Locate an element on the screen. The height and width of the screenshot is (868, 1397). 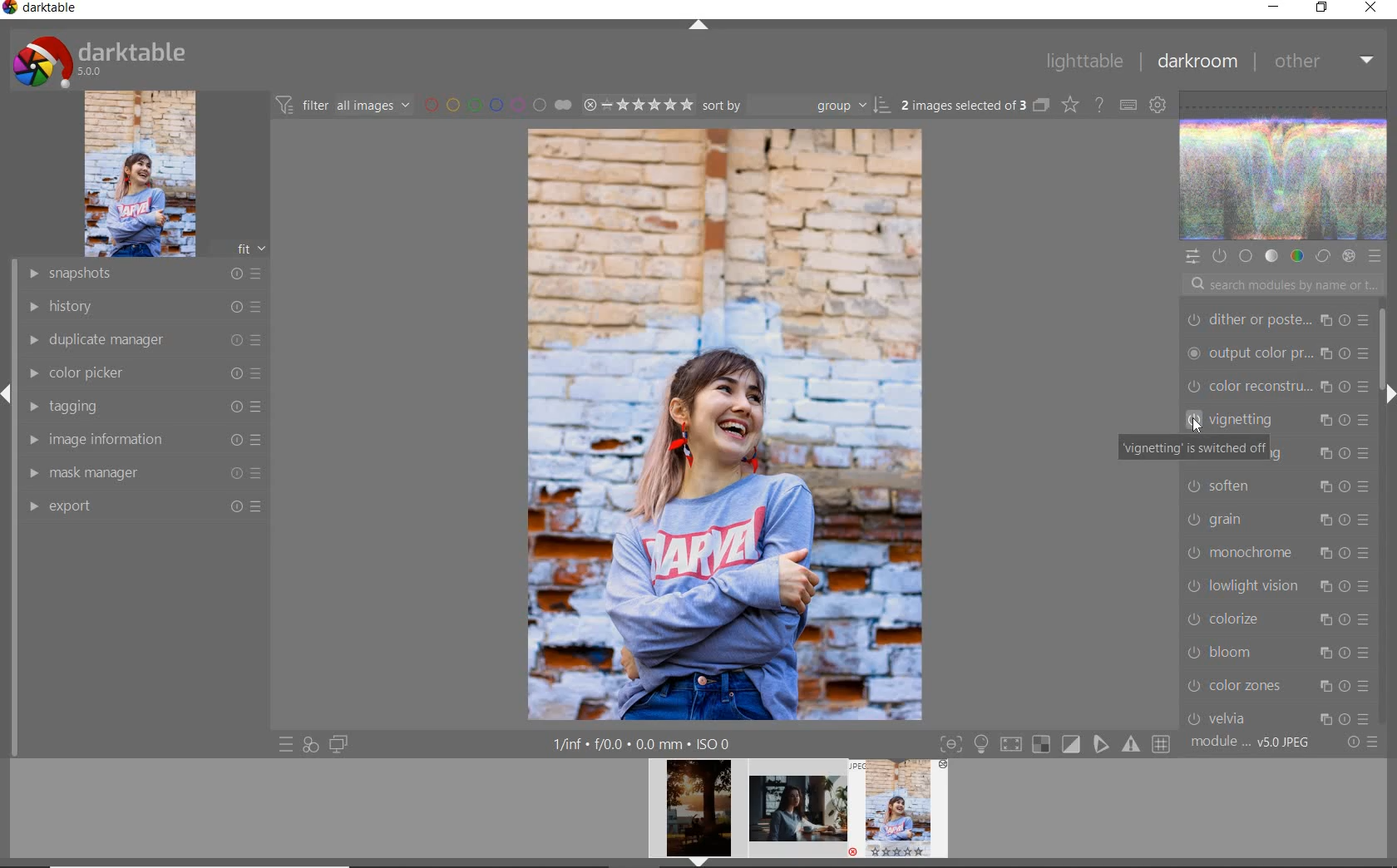
filter image is located at coordinates (343, 104).